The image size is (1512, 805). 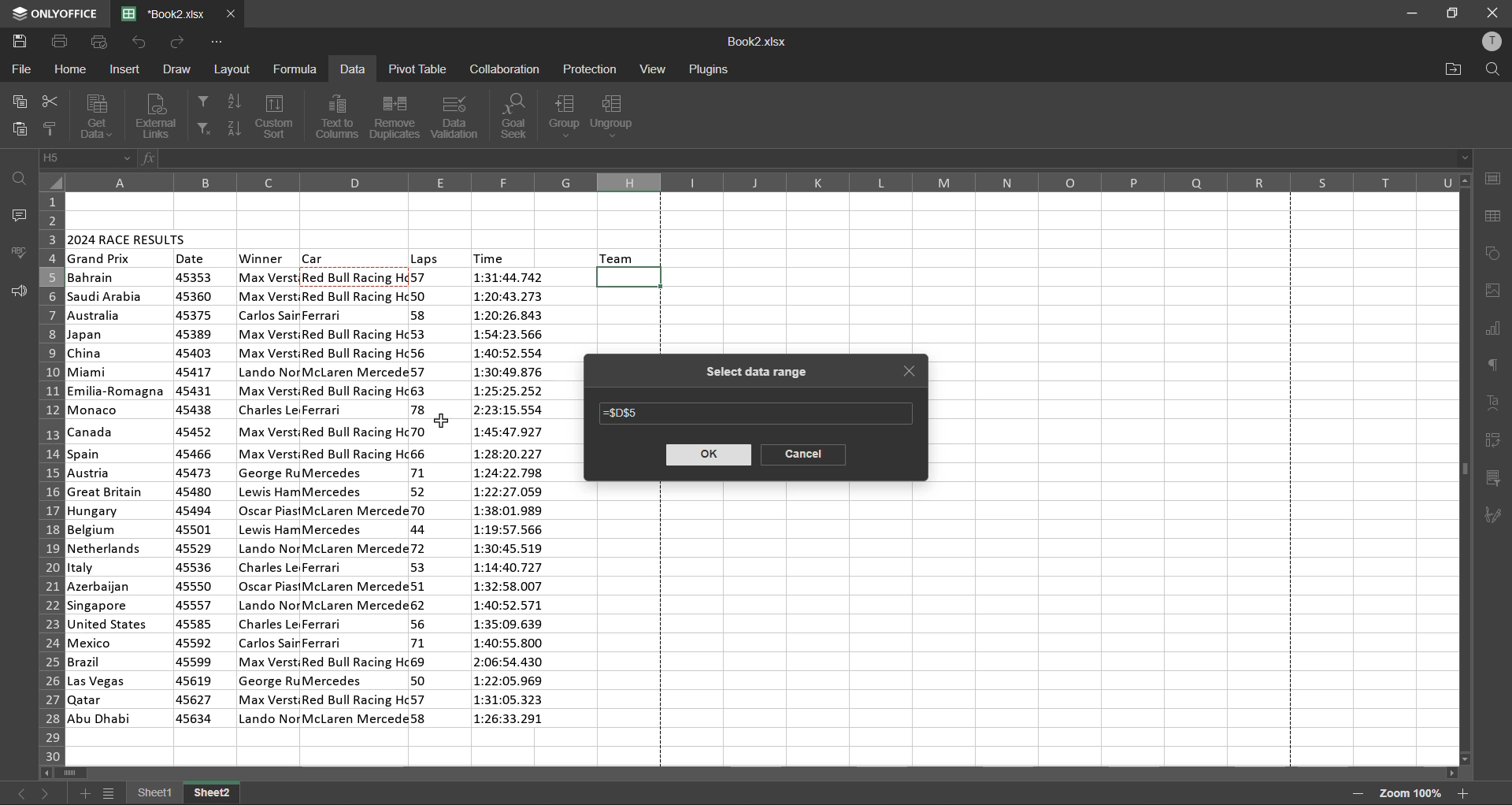 What do you see at coordinates (54, 13) in the screenshot?
I see `app name` at bounding box center [54, 13].